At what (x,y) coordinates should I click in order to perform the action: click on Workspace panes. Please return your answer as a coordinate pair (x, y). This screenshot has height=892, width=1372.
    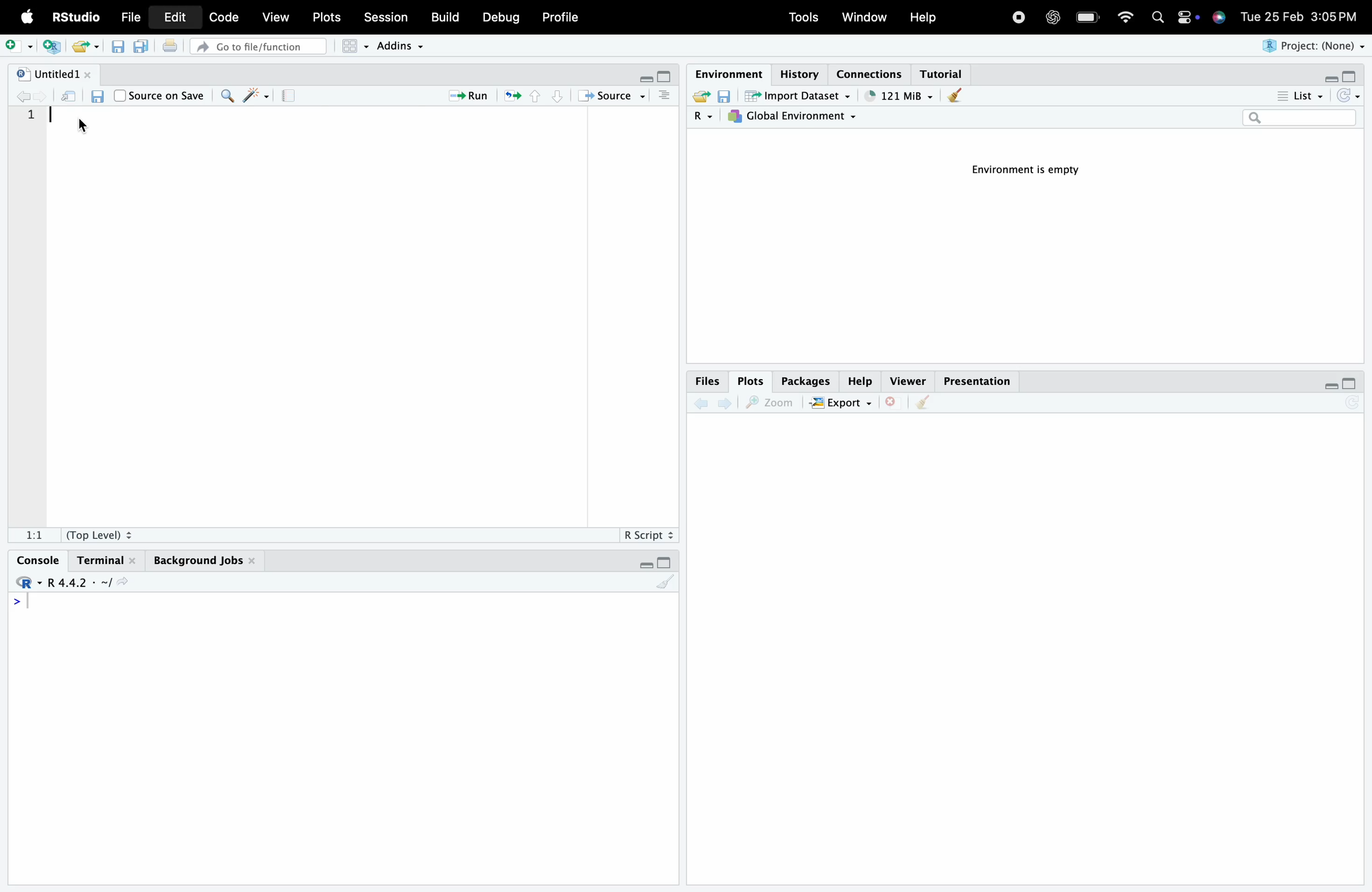
    Looking at the image, I should click on (352, 47).